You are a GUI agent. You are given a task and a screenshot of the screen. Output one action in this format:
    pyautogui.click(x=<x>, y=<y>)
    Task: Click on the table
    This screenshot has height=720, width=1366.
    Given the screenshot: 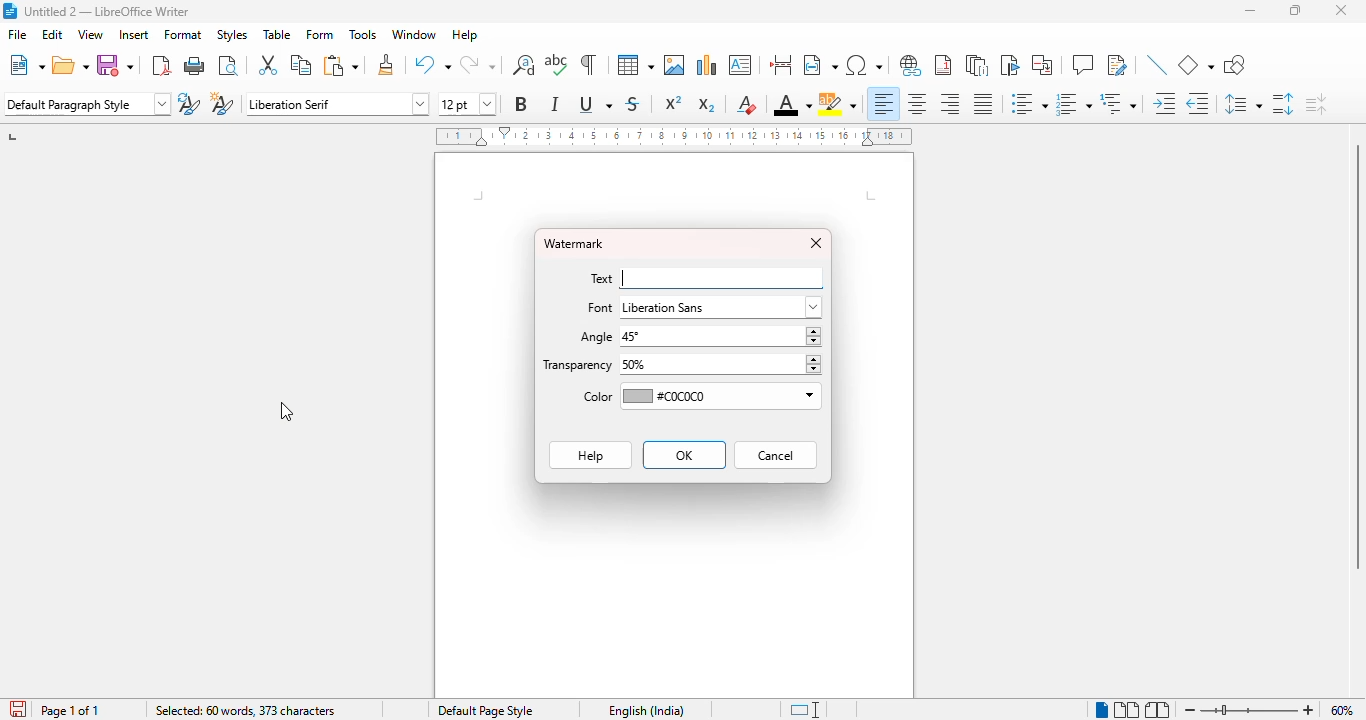 What is the action you would take?
    pyautogui.click(x=277, y=34)
    